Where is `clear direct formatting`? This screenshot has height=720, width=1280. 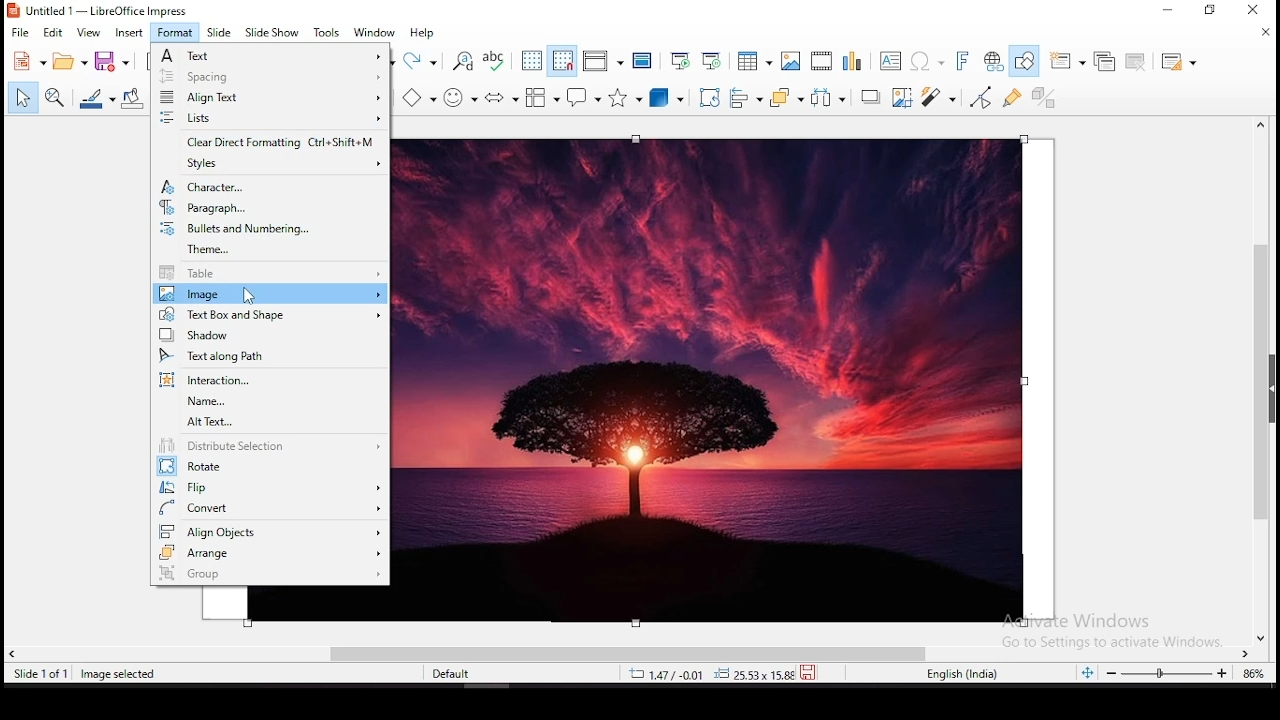
clear direct formatting is located at coordinates (268, 143).